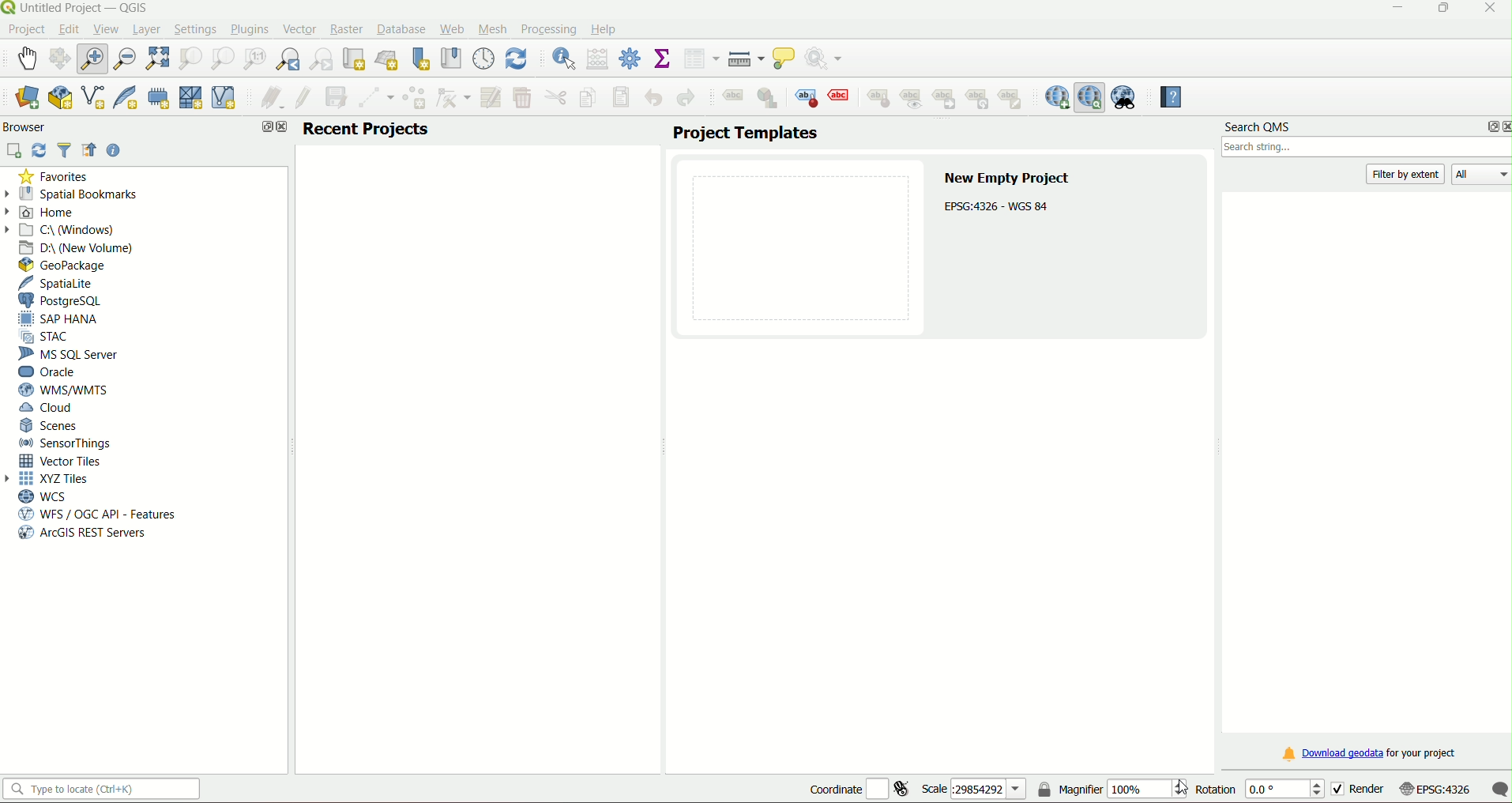 This screenshot has height=803, width=1512. Describe the element at coordinates (491, 96) in the screenshot. I see `modify attributes` at that location.